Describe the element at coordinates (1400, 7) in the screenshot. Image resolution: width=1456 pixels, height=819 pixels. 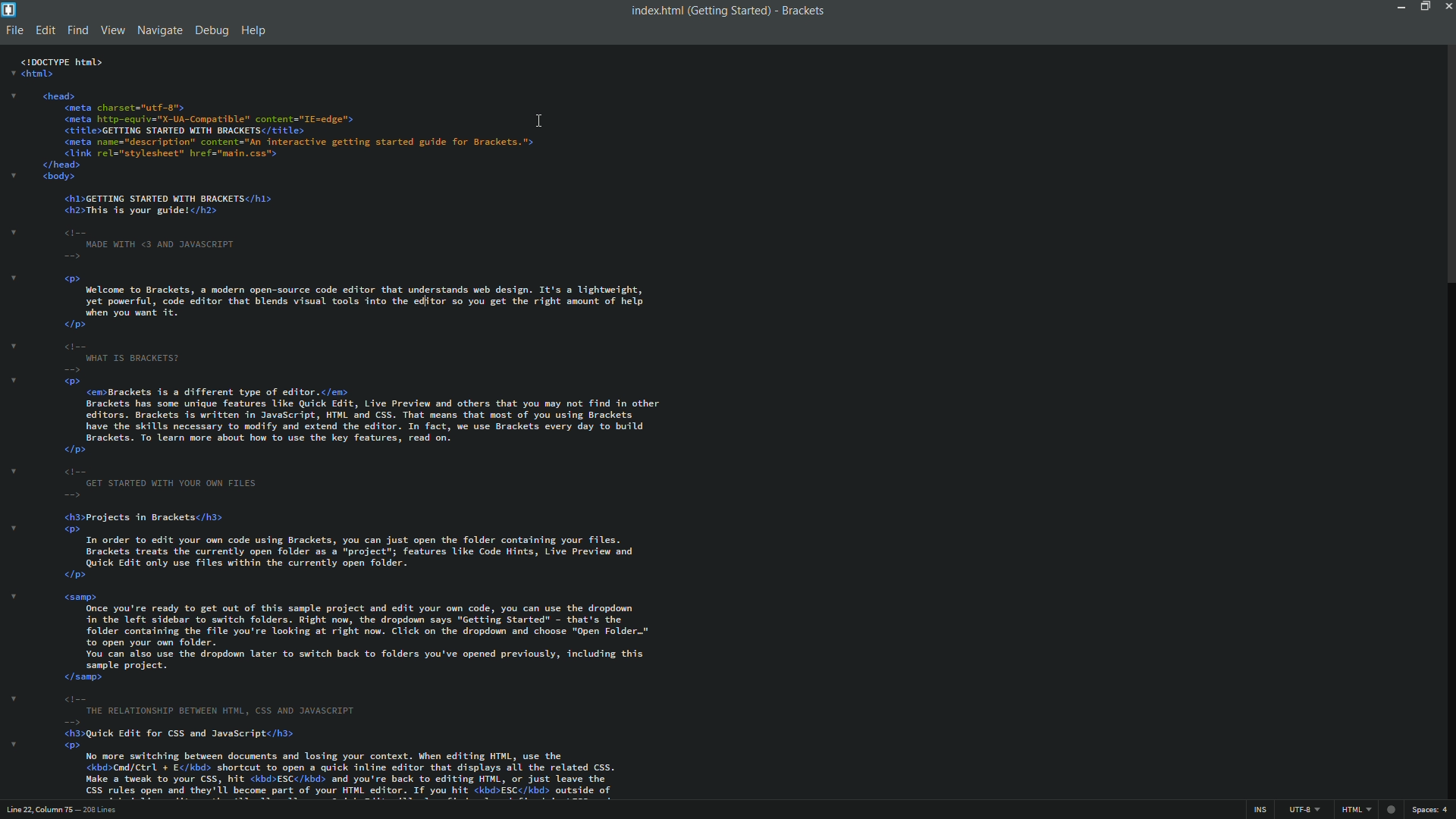
I see `minimize` at that location.